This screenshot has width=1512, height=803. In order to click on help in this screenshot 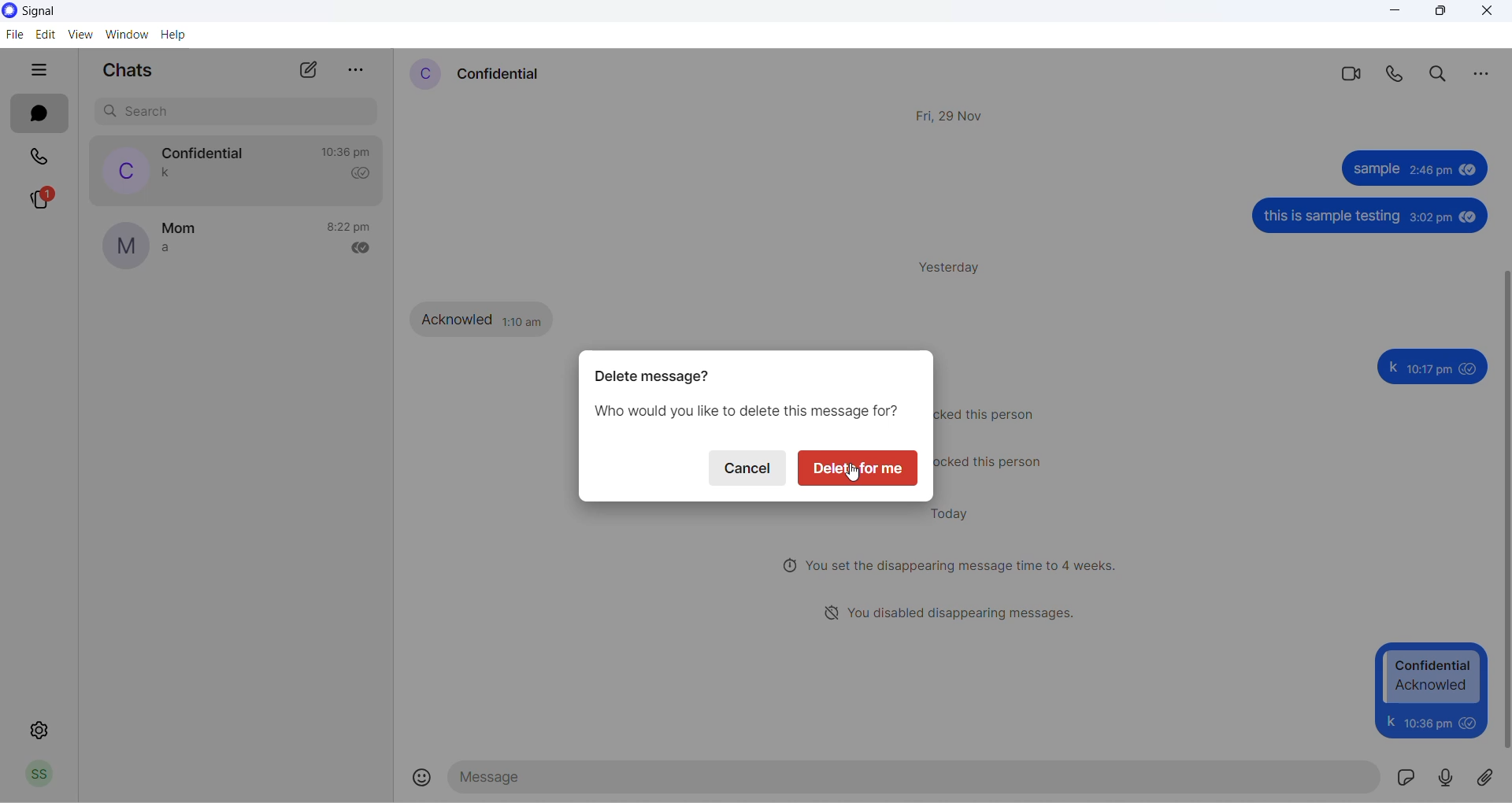, I will do `click(176, 38)`.